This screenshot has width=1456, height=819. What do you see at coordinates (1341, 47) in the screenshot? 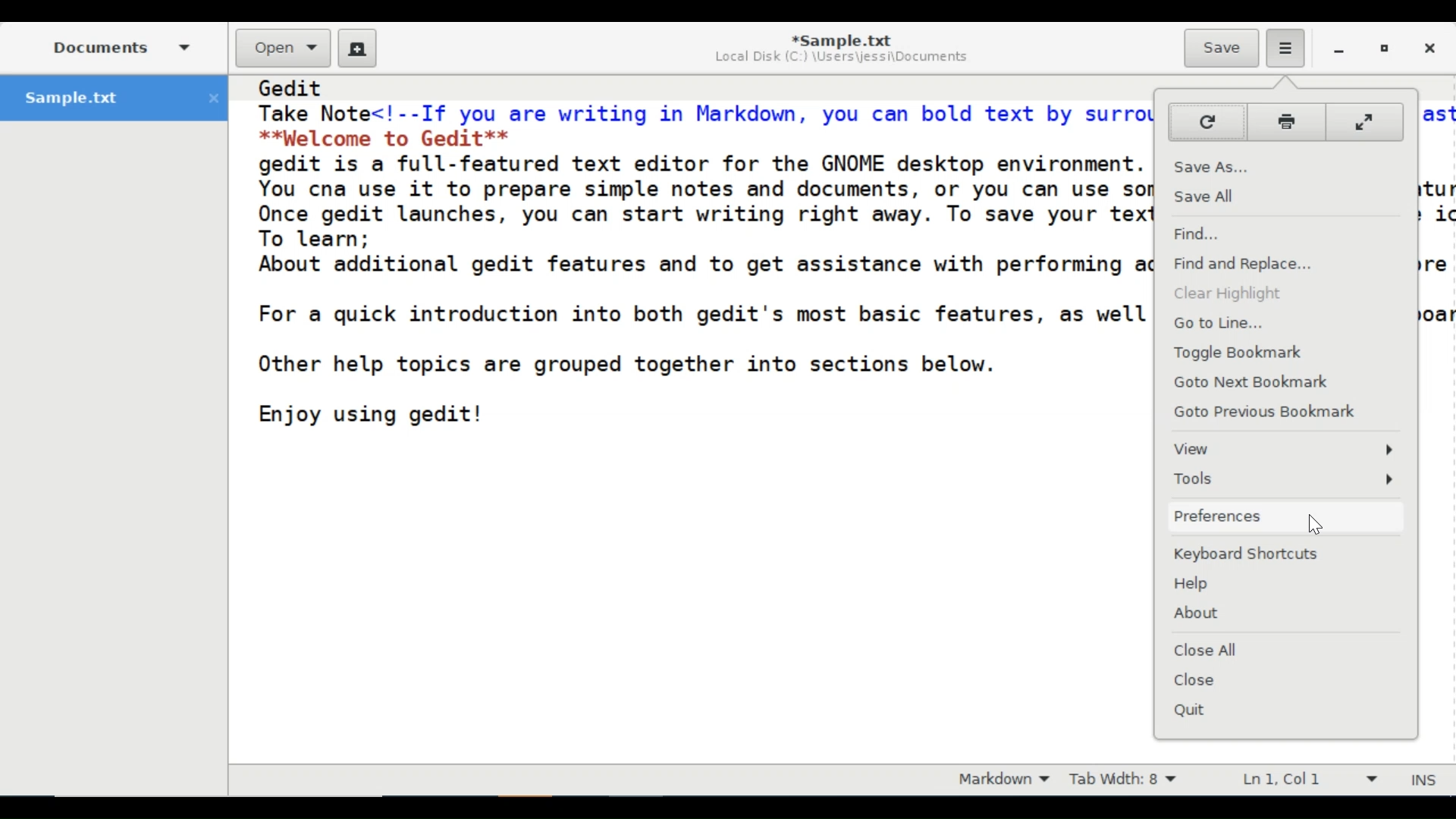
I see `minimize` at bounding box center [1341, 47].